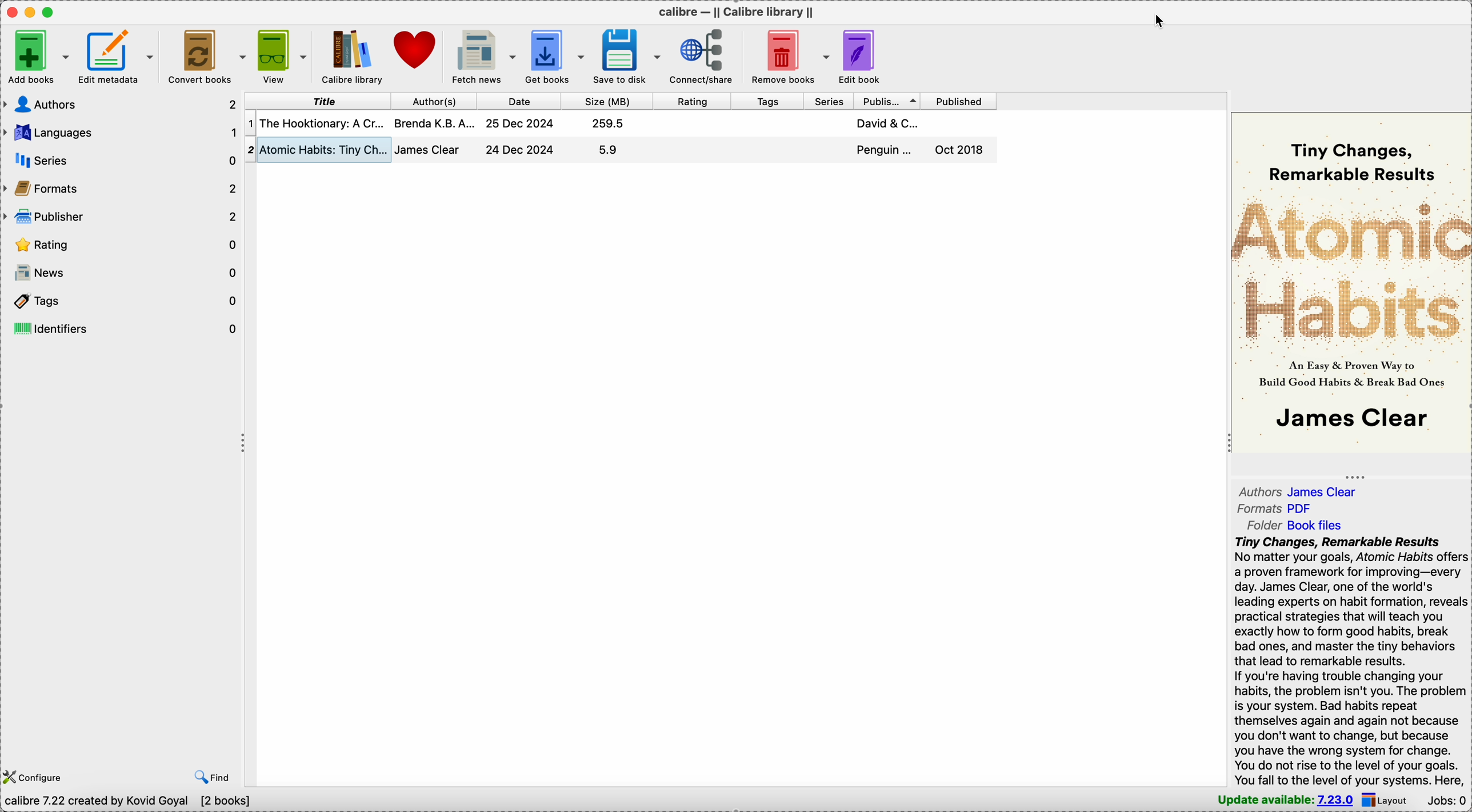 This screenshot has width=1472, height=812. What do you see at coordinates (1294, 525) in the screenshot?
I see `folder book files` at bounding box center [1294, 525].